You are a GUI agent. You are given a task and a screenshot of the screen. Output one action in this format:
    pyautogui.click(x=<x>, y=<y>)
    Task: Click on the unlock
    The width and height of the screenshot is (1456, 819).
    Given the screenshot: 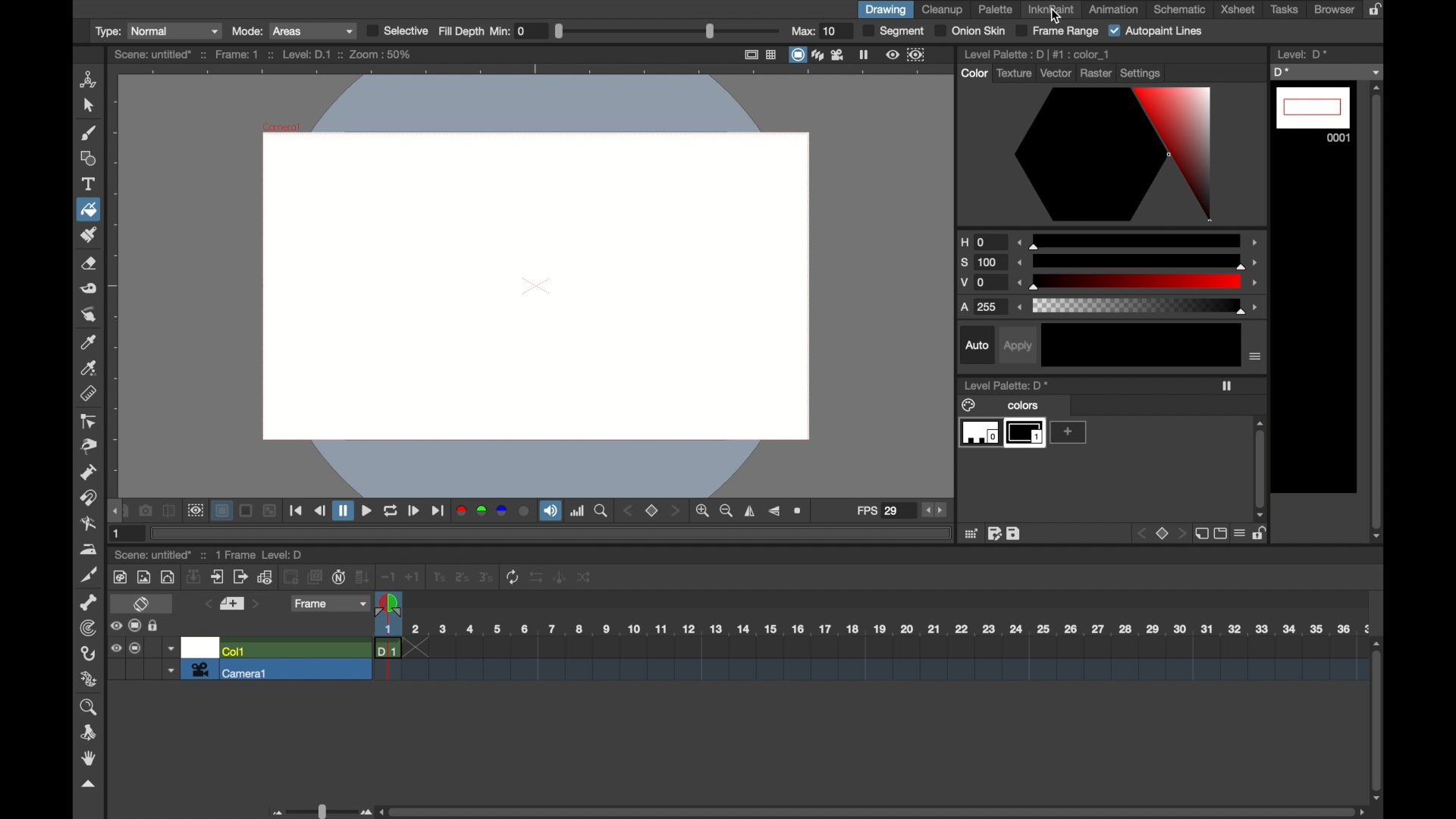 What is the action you would take?
    pyautogui.click(x=154, y=626)
    